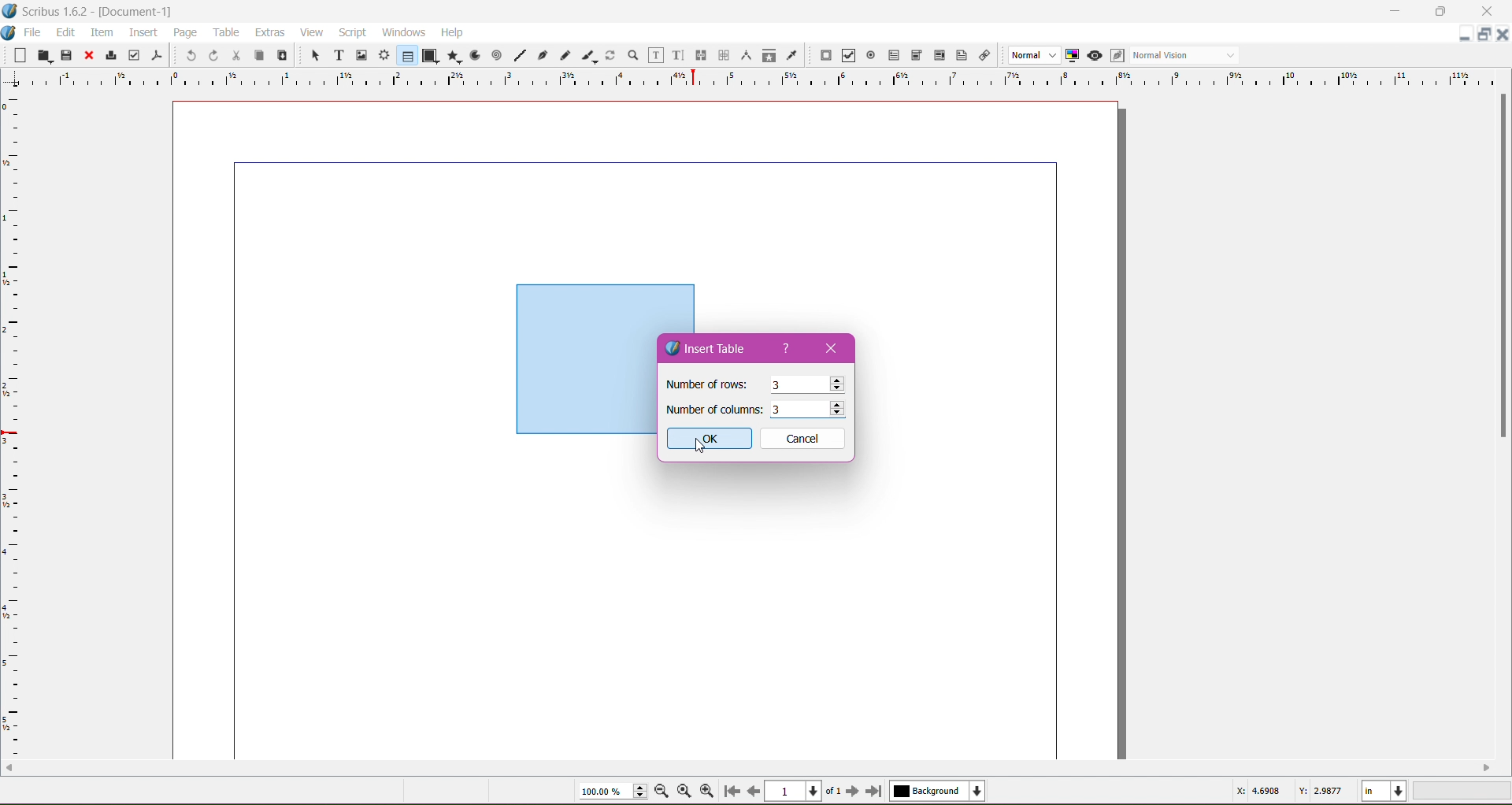 The image size is (1512, 805). Describe the element at coordinates (769, 54) in the screenshot. I see `Copy Item Properties` at that location.